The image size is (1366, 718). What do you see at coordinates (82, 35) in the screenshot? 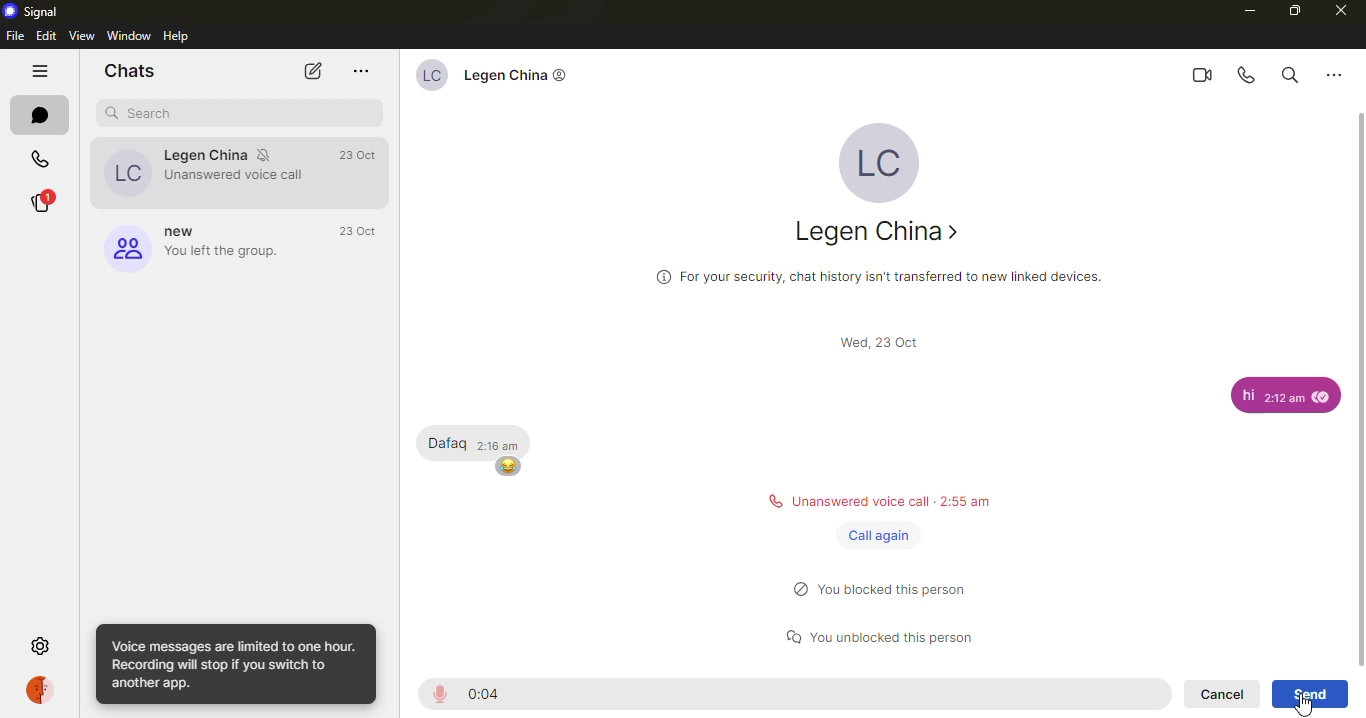
I see `view` at bounding box center [82, 35].